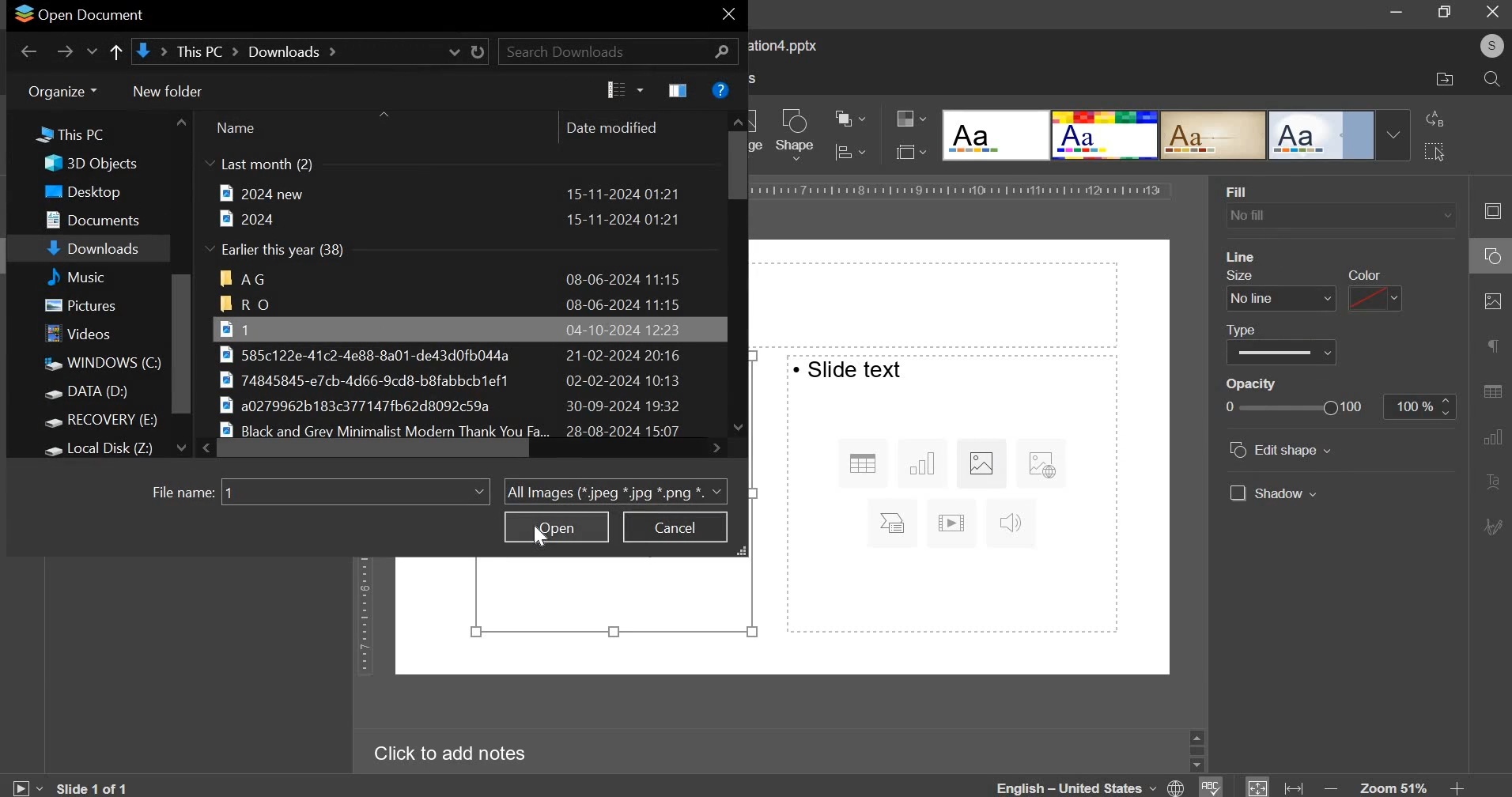 This screenshot has height=797, width=1512. What do you see at coordinates (1272, 493) in the screenshot?
I see `shadow` at bounding box center [1272, 493].